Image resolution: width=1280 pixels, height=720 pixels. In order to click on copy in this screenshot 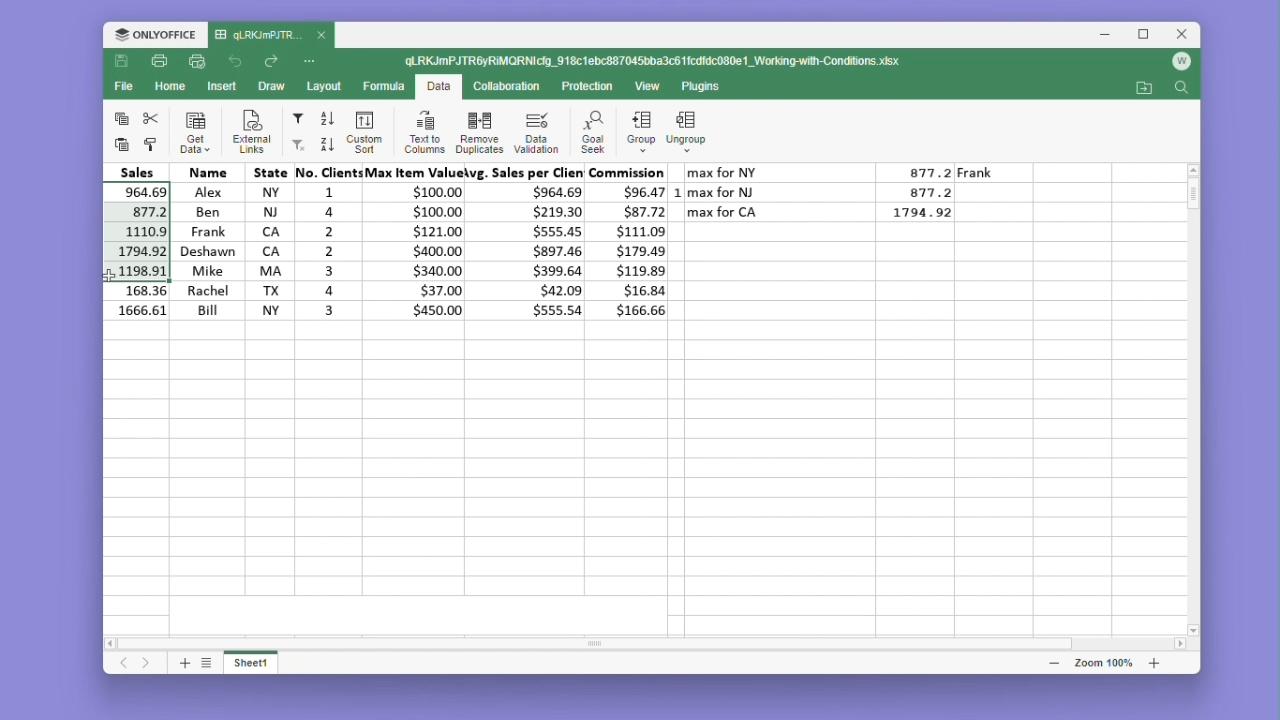, I will do `click(121, 117)`.